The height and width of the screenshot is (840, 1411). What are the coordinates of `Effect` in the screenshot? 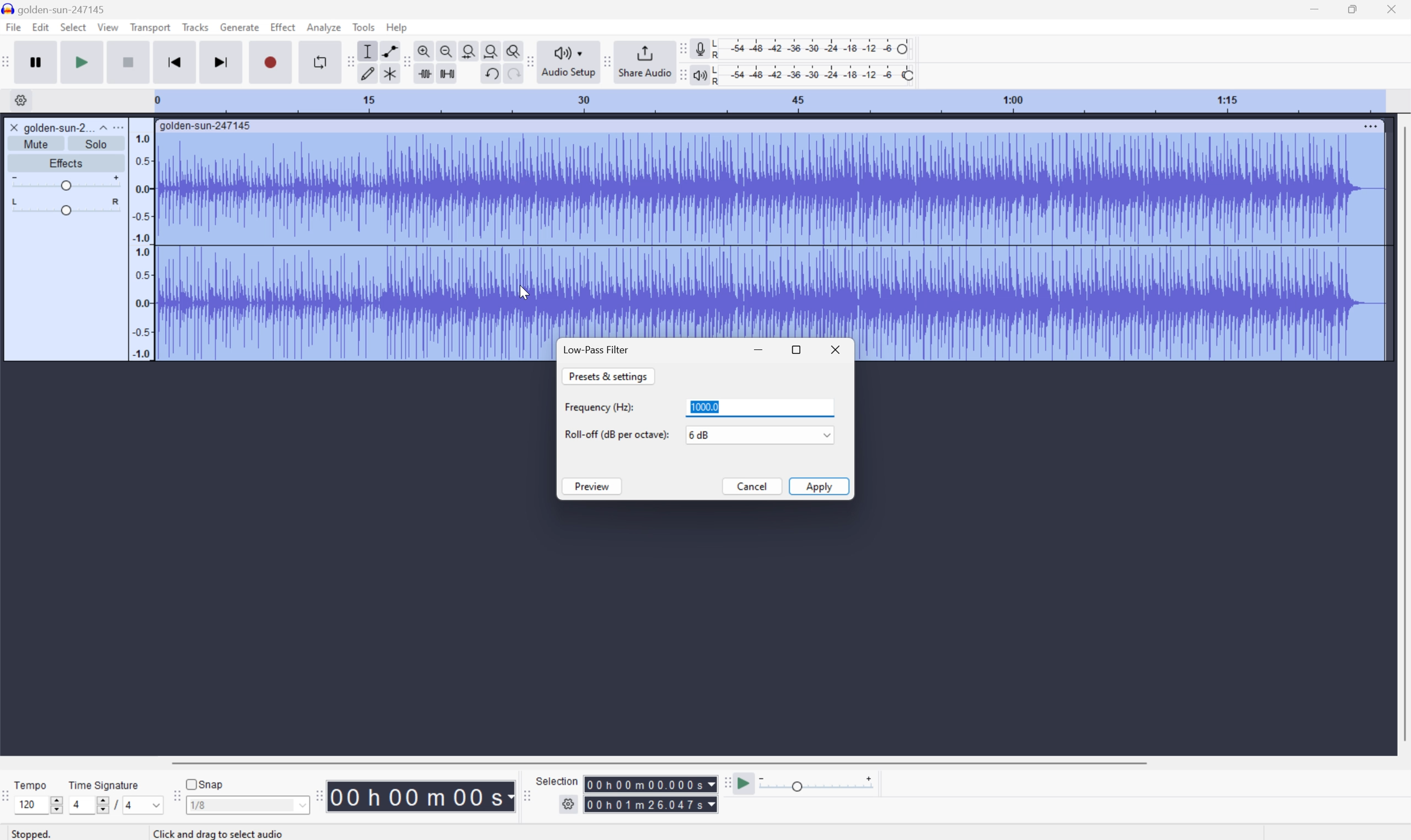 It's located at (283, 26).